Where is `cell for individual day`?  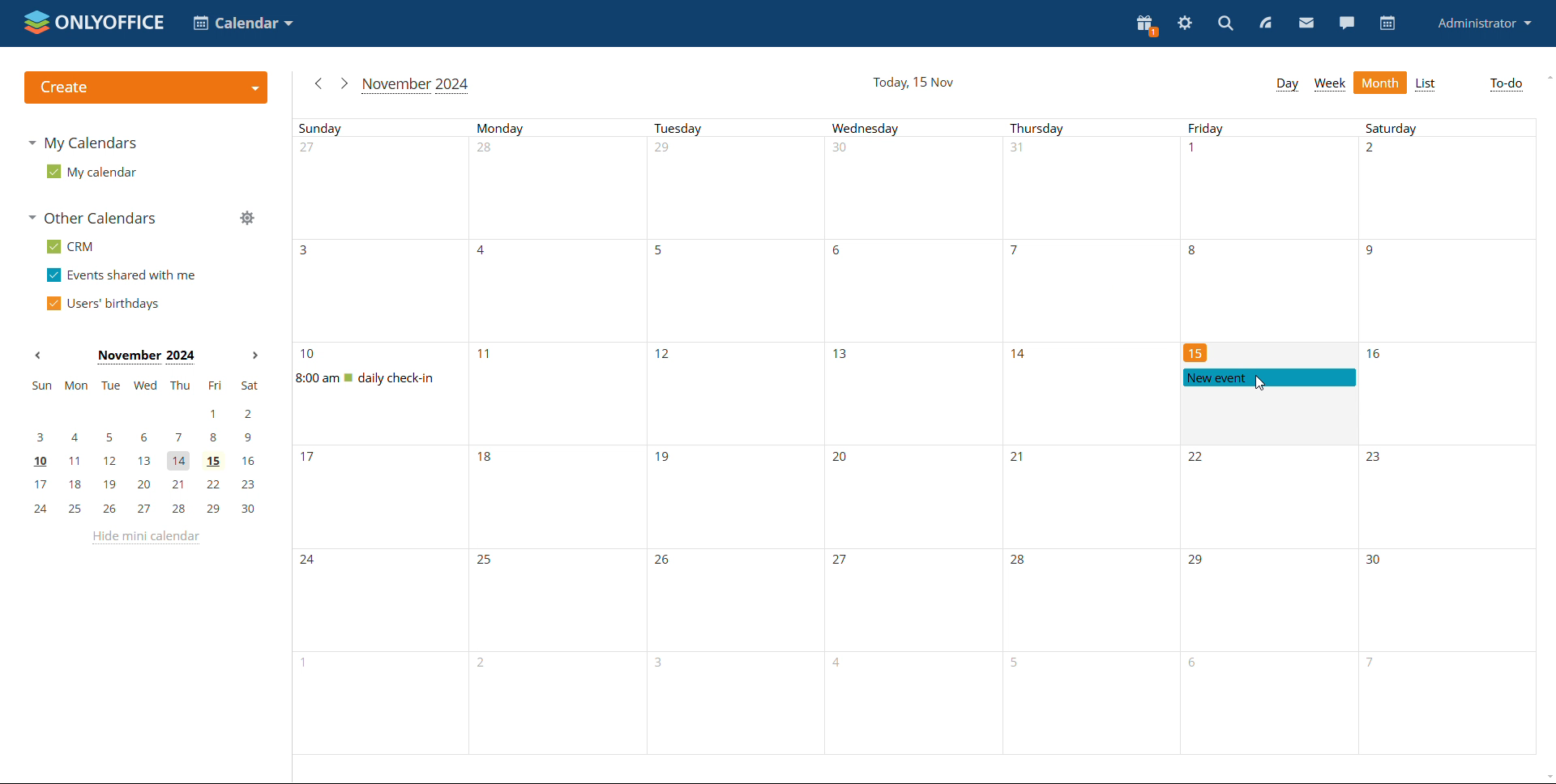 cell for individual day is located at coordinates (676, 255).